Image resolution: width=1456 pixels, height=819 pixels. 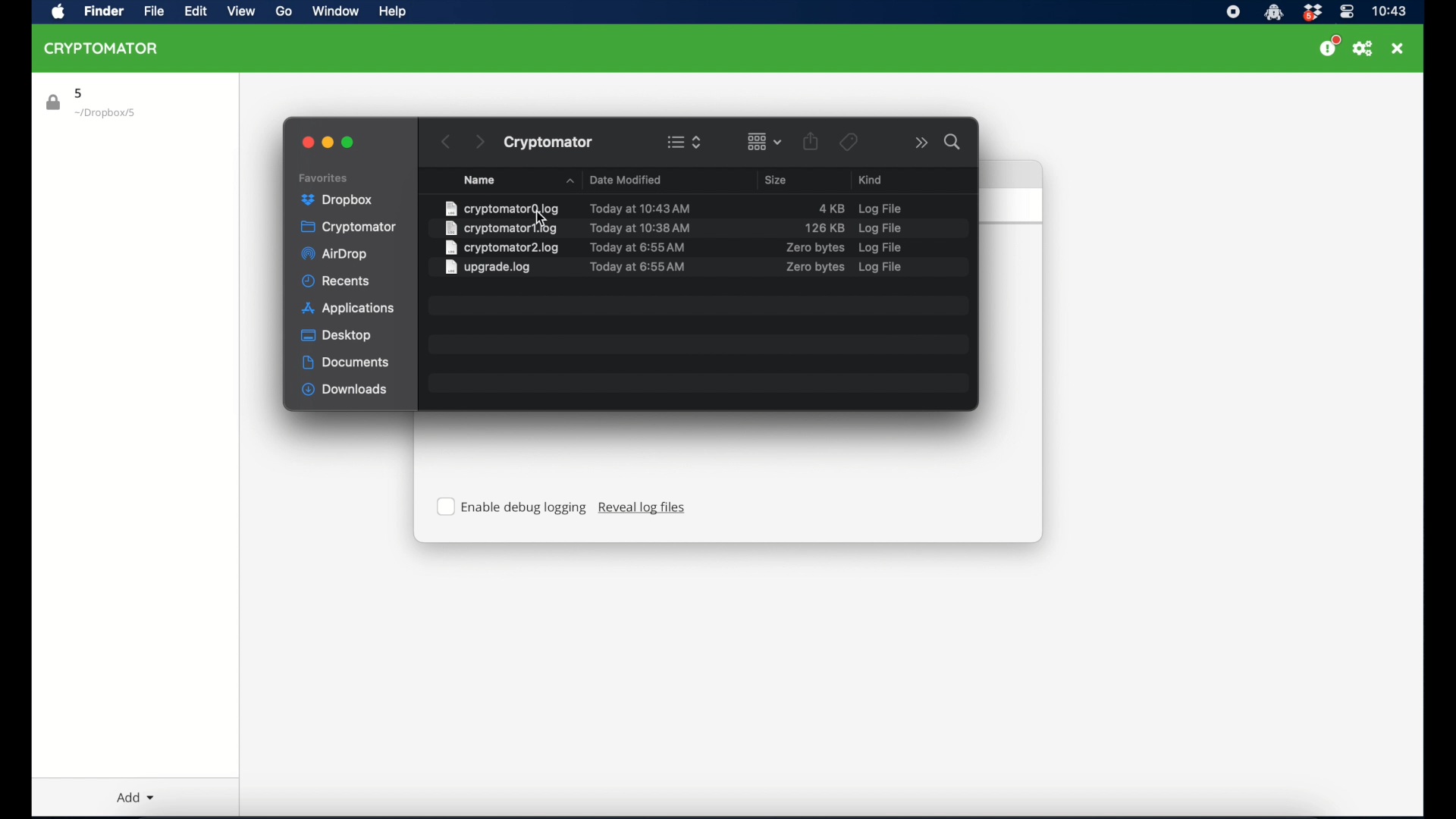 I want to click on date modified, so click(x=627, y=180).